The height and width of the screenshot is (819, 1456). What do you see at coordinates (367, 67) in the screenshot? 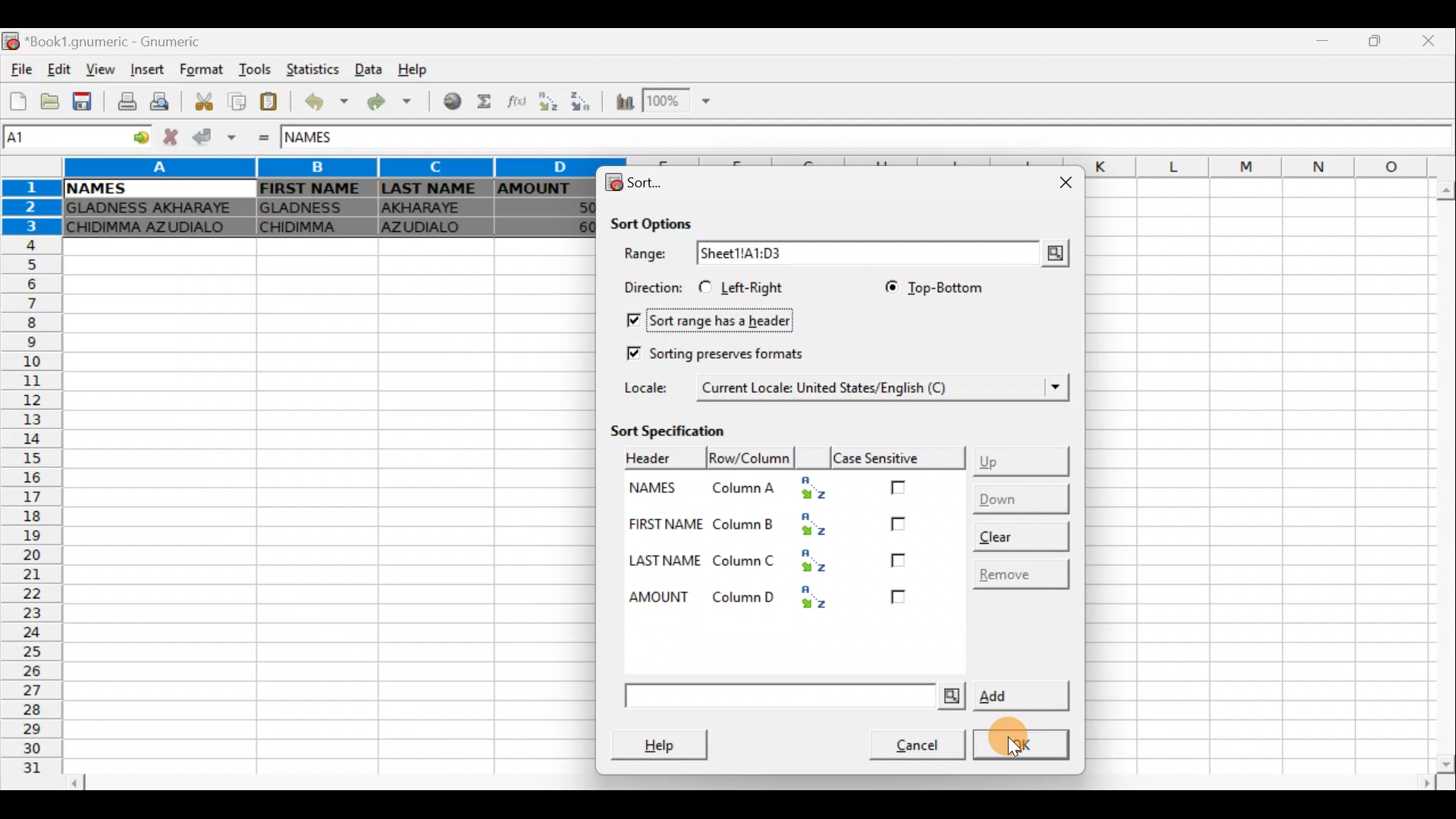
I see `Data` at bounding box center [367, 67].